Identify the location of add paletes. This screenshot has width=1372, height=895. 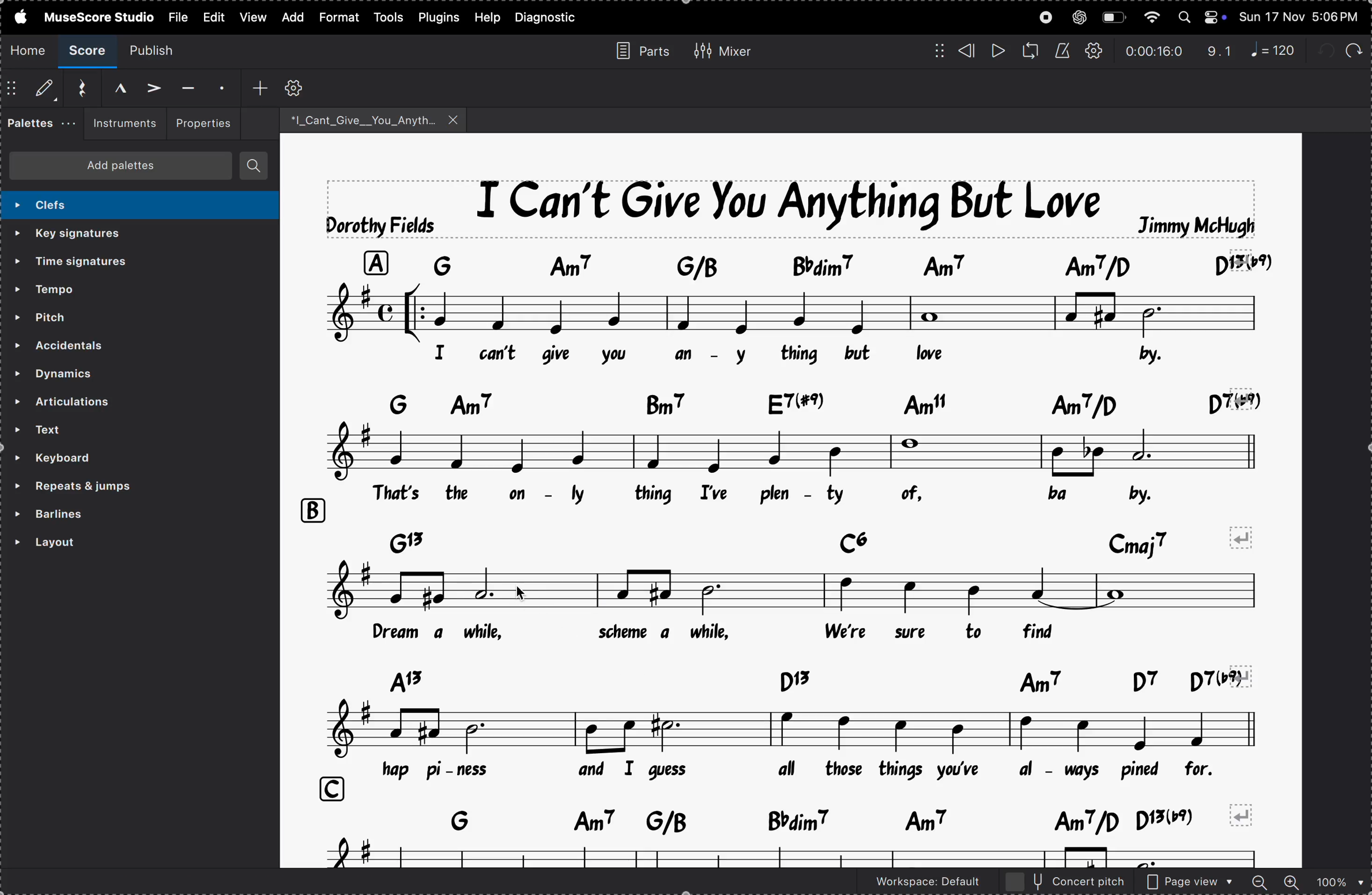
(120, 166).